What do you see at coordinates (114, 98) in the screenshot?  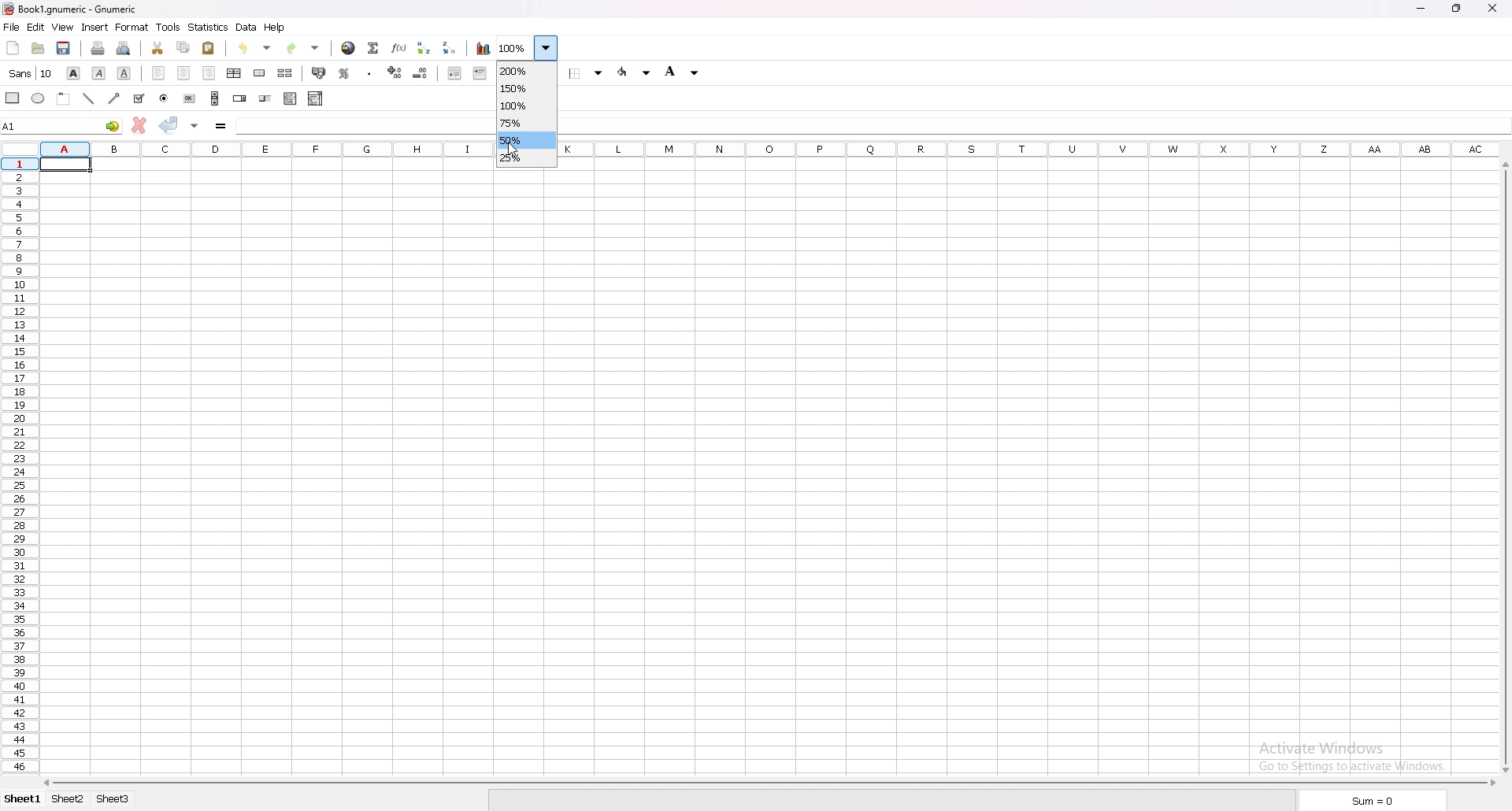 I see `arrow line` at bounding box center [114, 98].